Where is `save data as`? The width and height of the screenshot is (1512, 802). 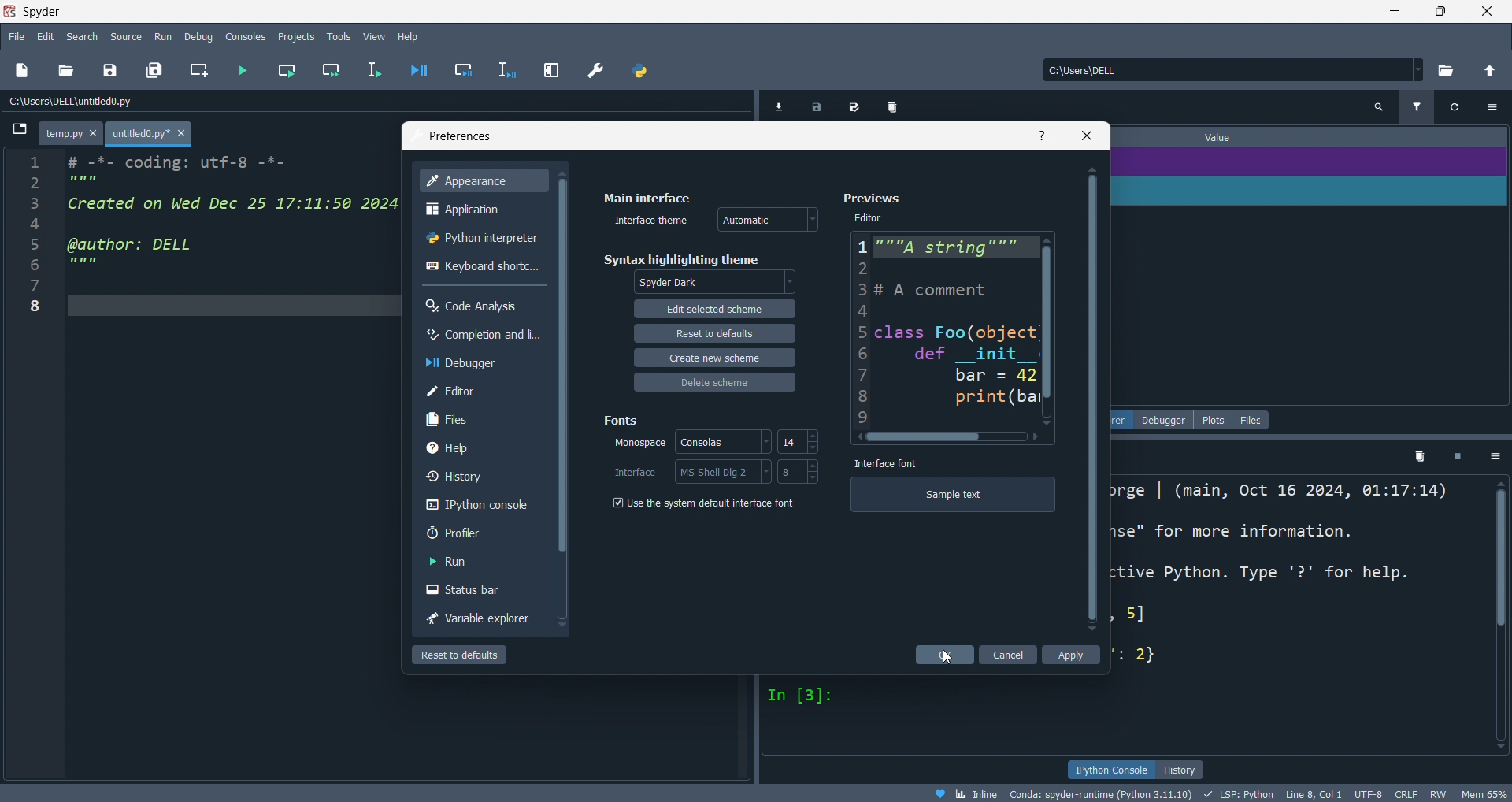
save data as is located at coordinates (854, 103).